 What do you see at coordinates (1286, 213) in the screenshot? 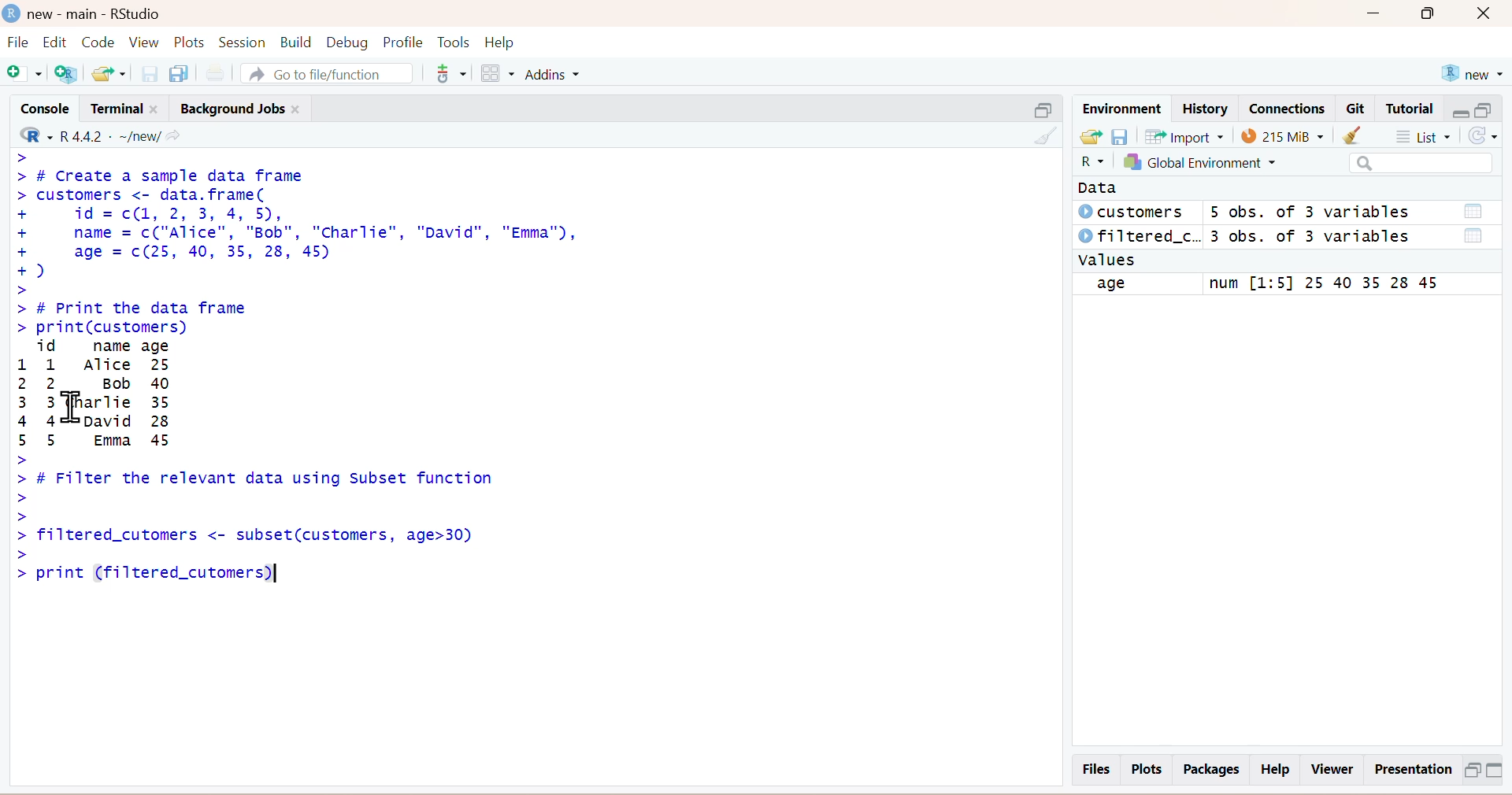
I see `© customers 5 obs. of 3 variables` at bounding box center [1286, 213].